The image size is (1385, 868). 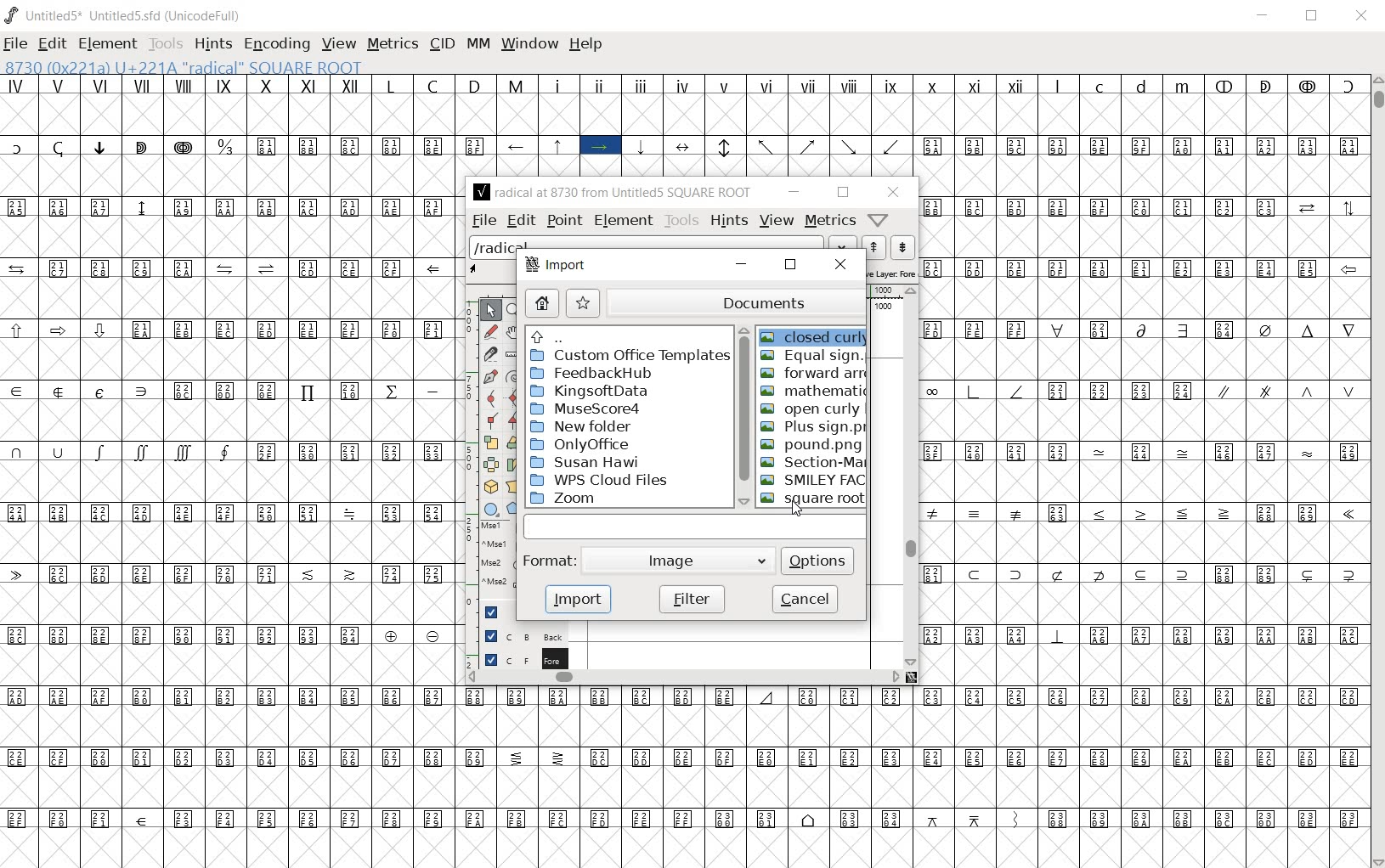 What do you see at coordinates (512, 442) in the screenshot?
I see `rotate the selection` at bounding box center [512, 442].